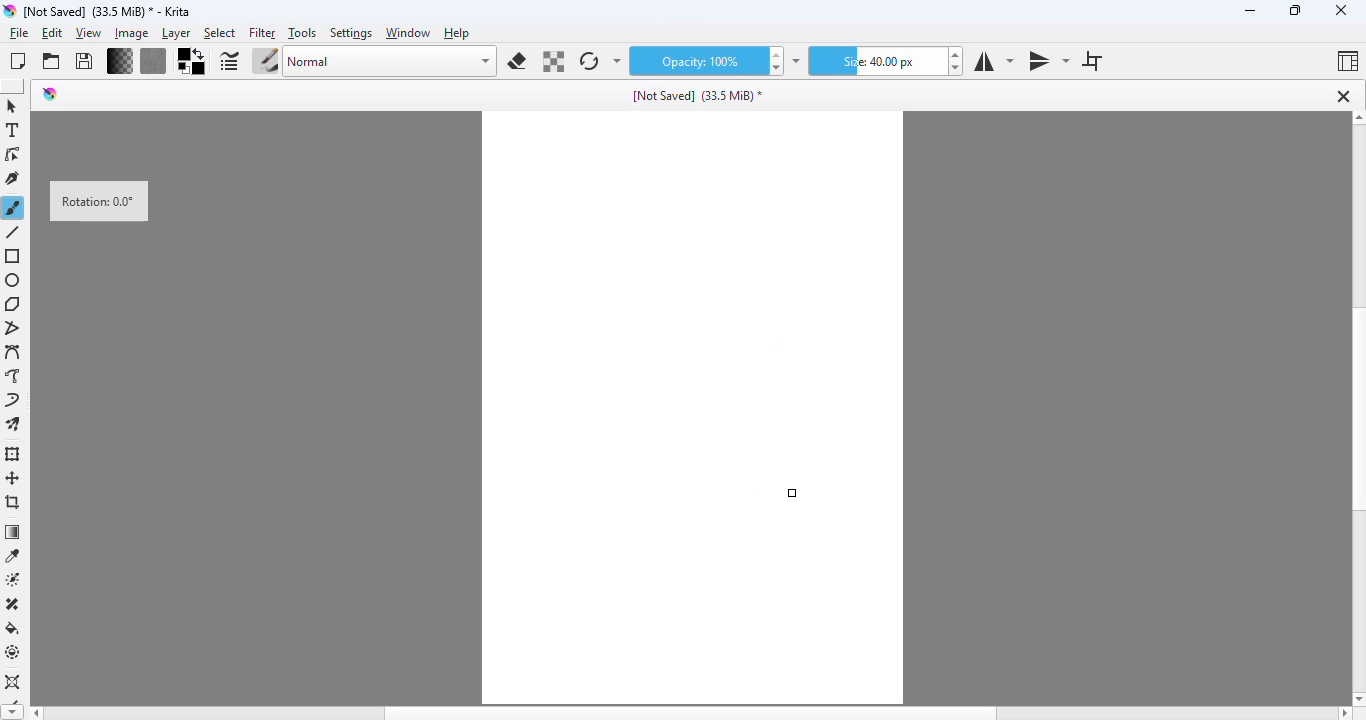  Describe the element at coordinates (52, 34) in the screenshot. I see `edit` at that location.